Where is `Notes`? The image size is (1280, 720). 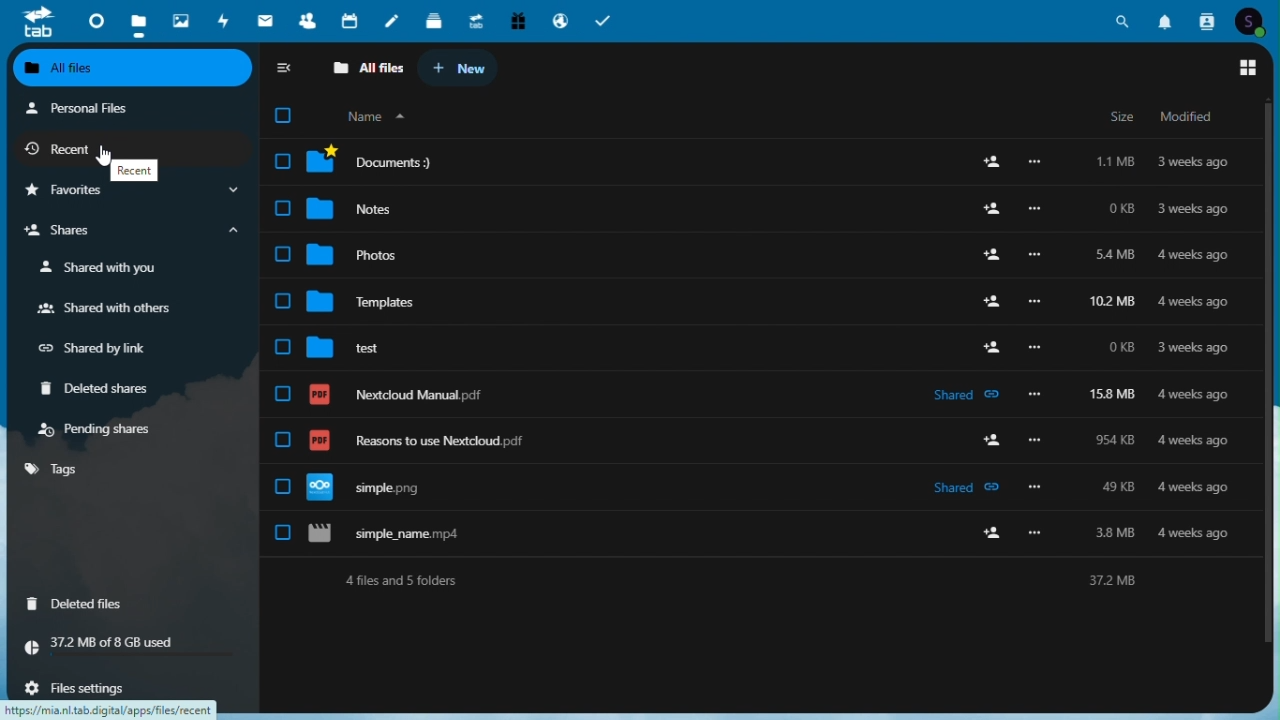
Notes is located at coordinates (757, 207).